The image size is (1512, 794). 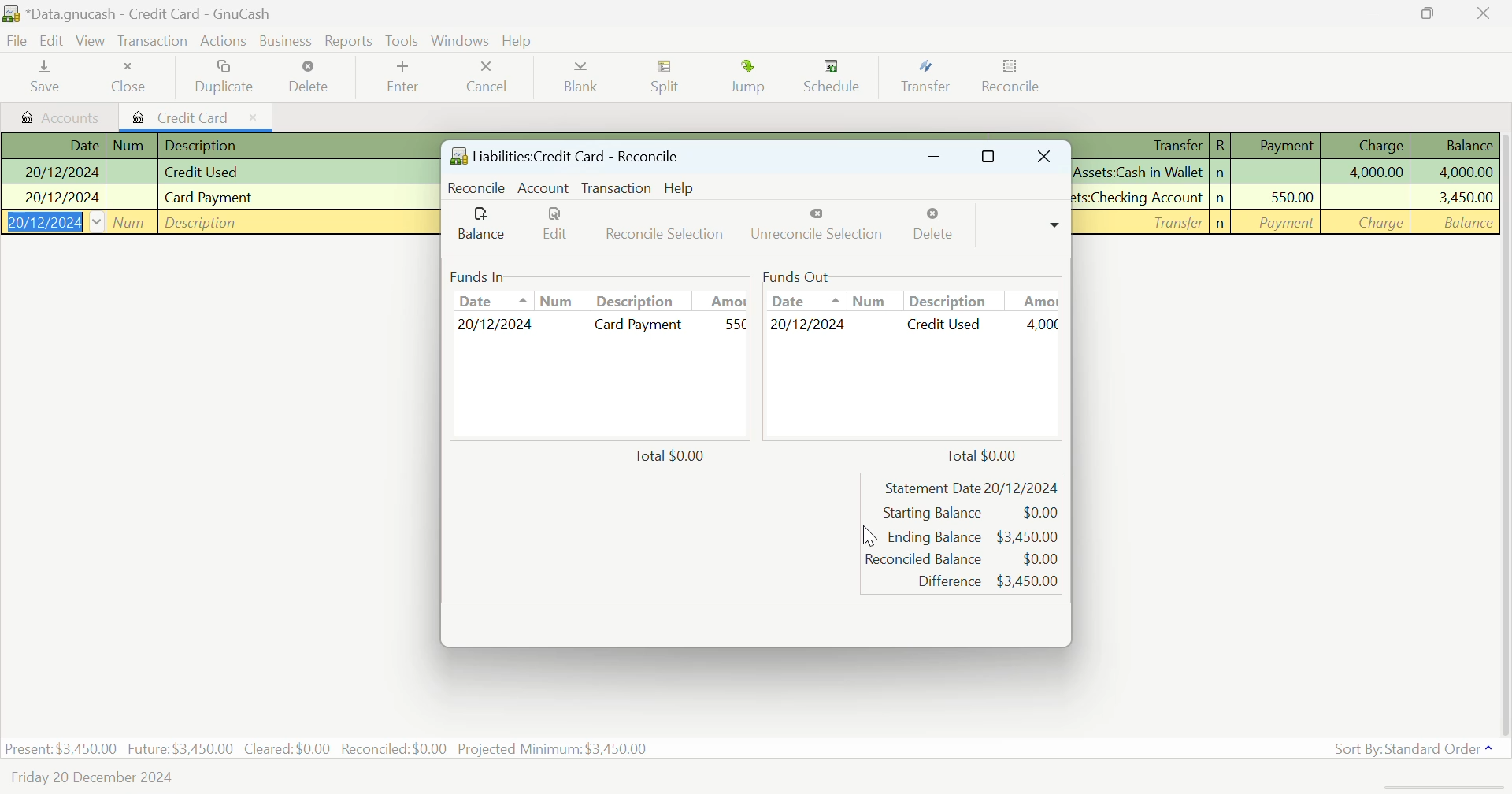 I want to click on Duplicate, so click(x=226, y=80).